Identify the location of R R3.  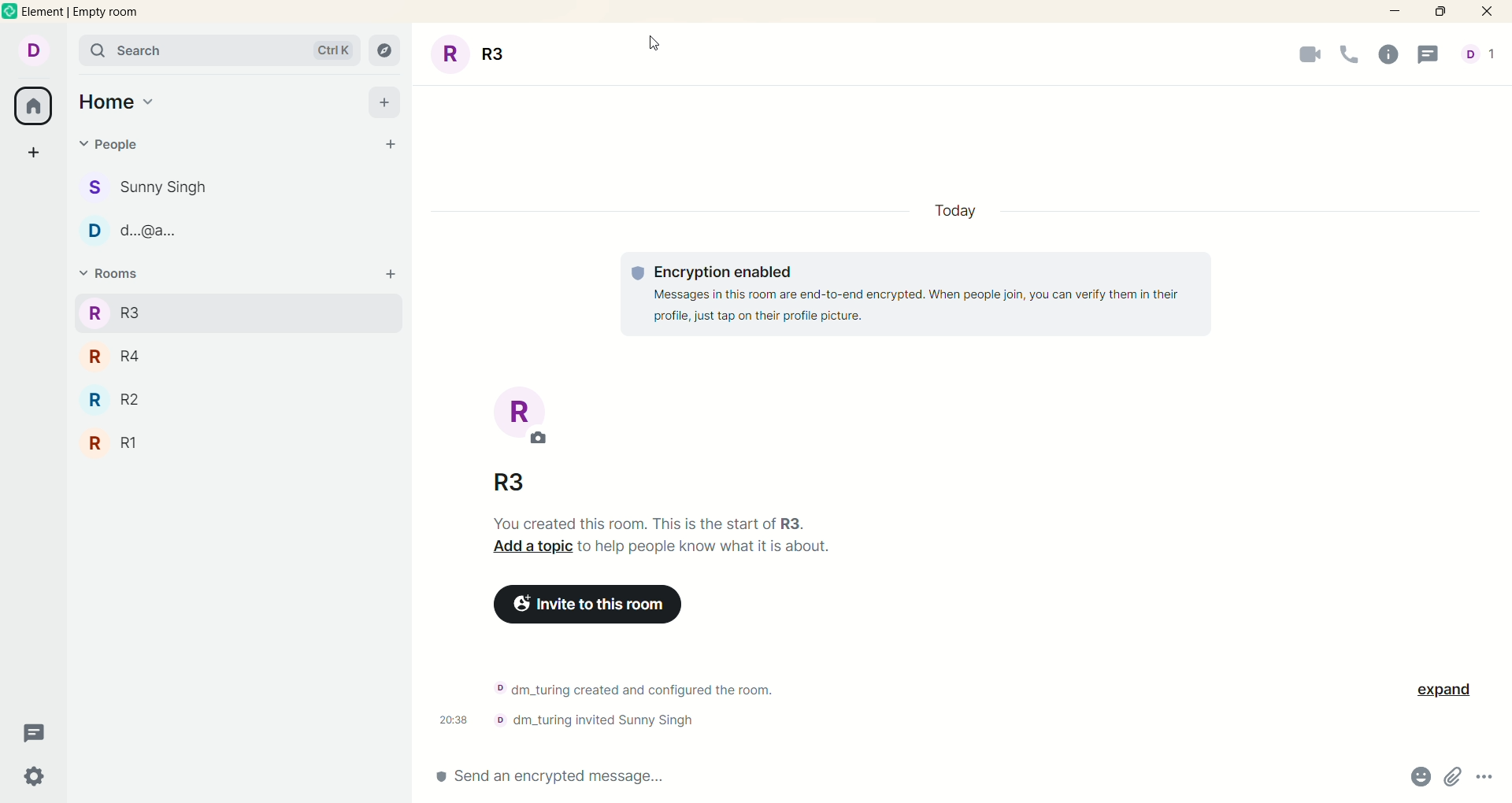
(114, 313).